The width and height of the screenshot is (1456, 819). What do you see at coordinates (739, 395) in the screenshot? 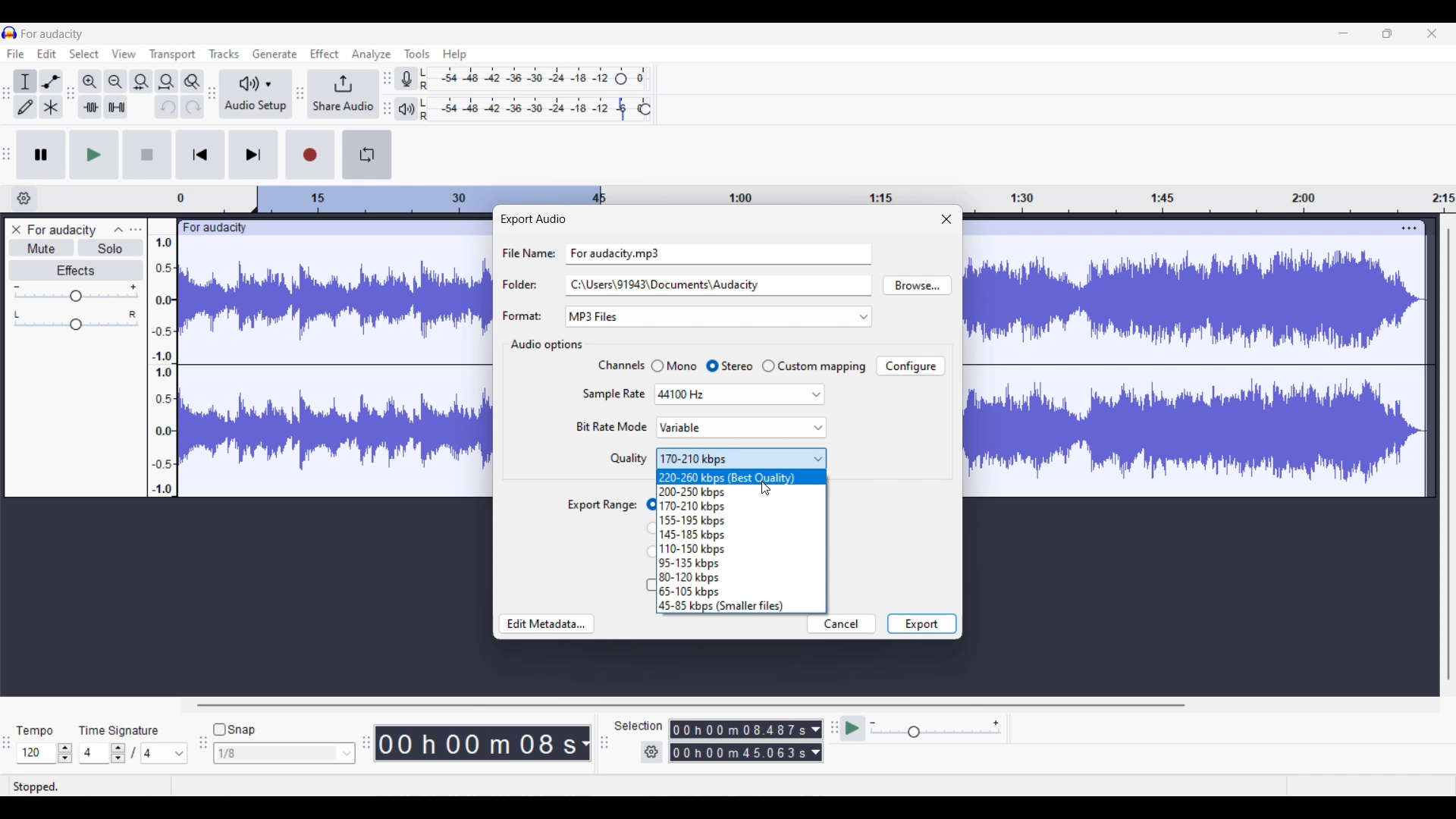
I see `Options for Sample rate` at bounding box center [739, 395].